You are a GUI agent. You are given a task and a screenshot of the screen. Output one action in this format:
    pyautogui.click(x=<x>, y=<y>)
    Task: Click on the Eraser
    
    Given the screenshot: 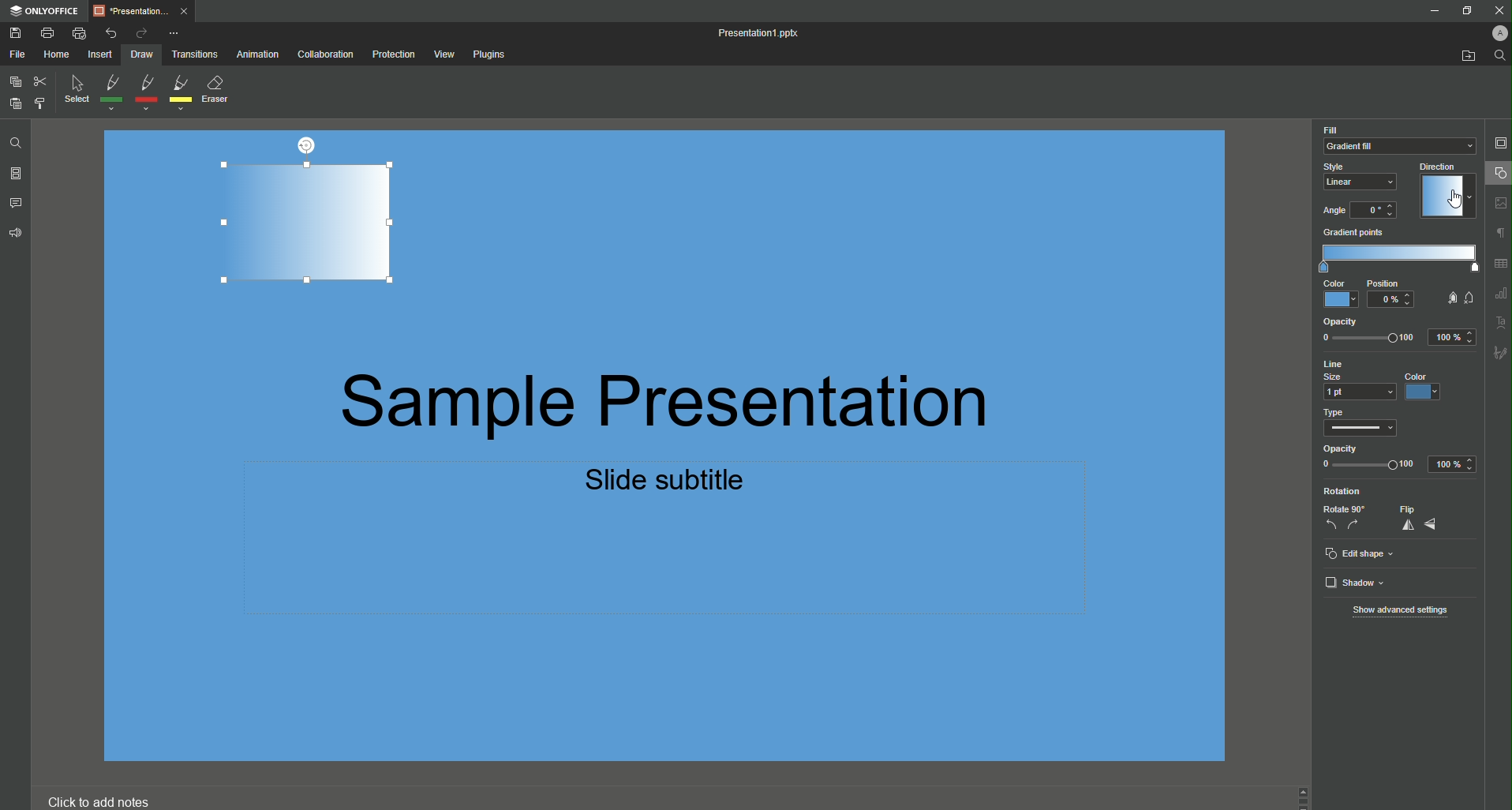 What is the action you would take?
    pyautogui.click(x=221, y=91)
    